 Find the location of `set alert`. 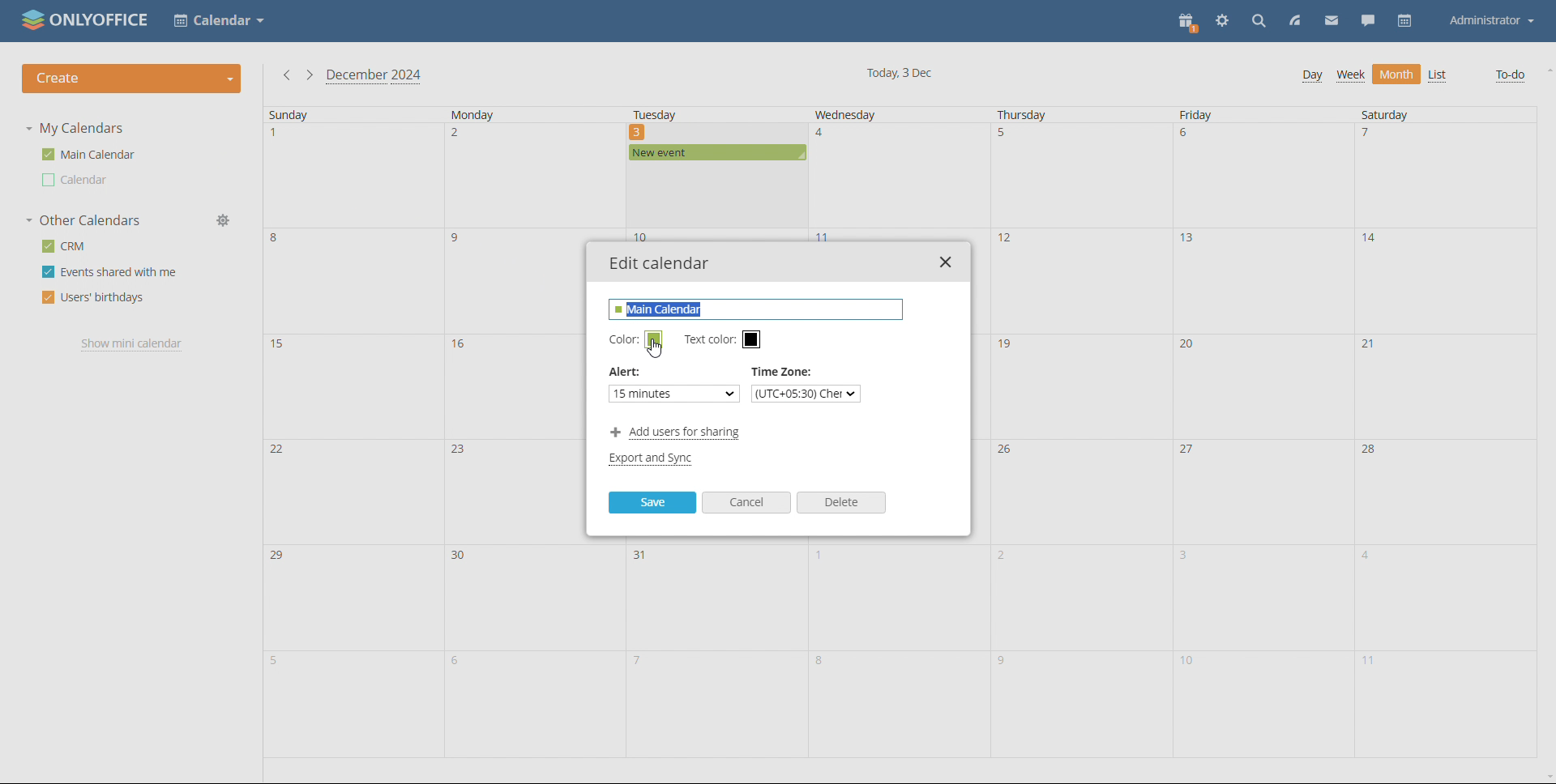

set alert is located at coordinates (673, 393).